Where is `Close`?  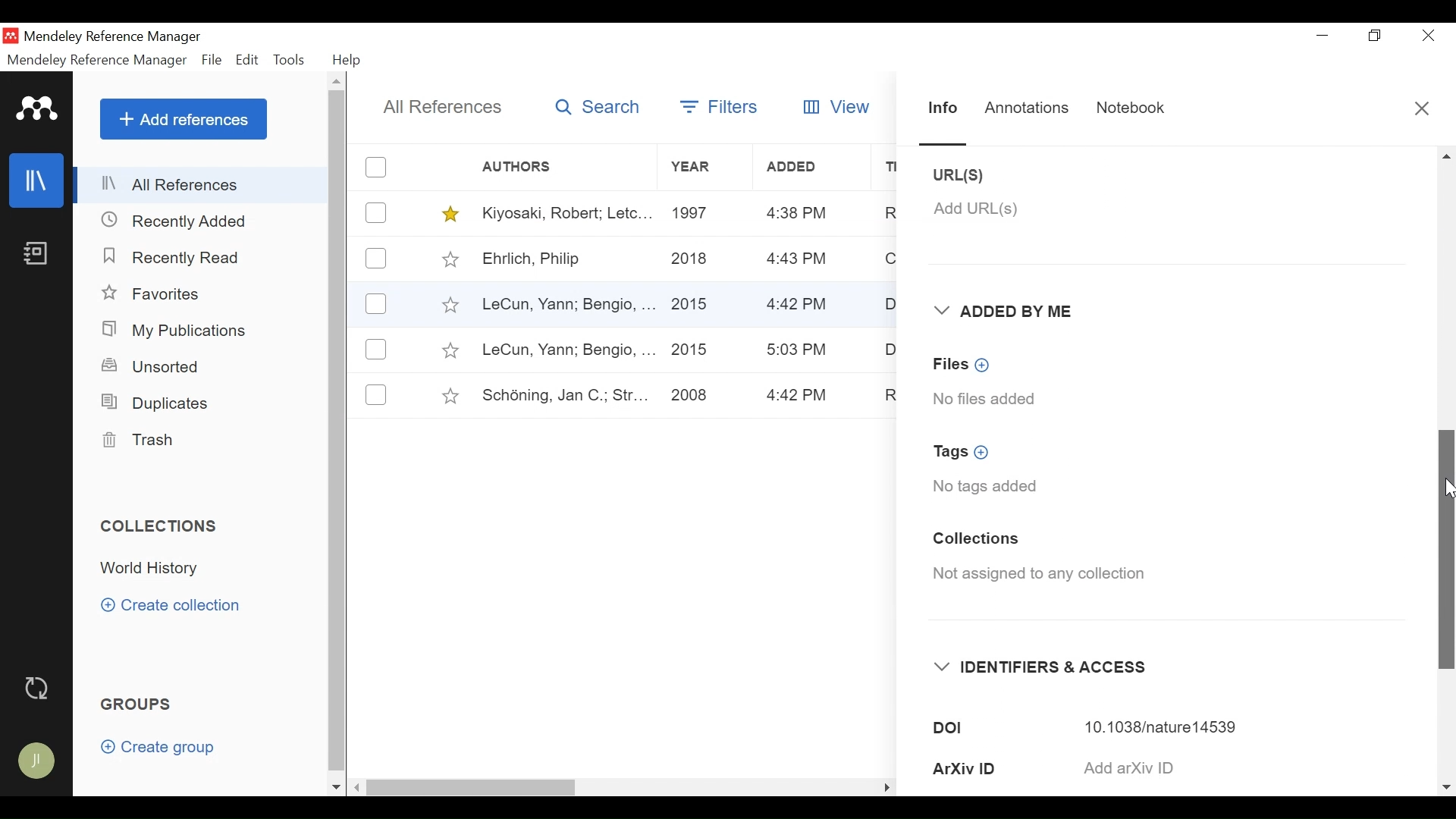 Close is located at coordinates (1428, 36).